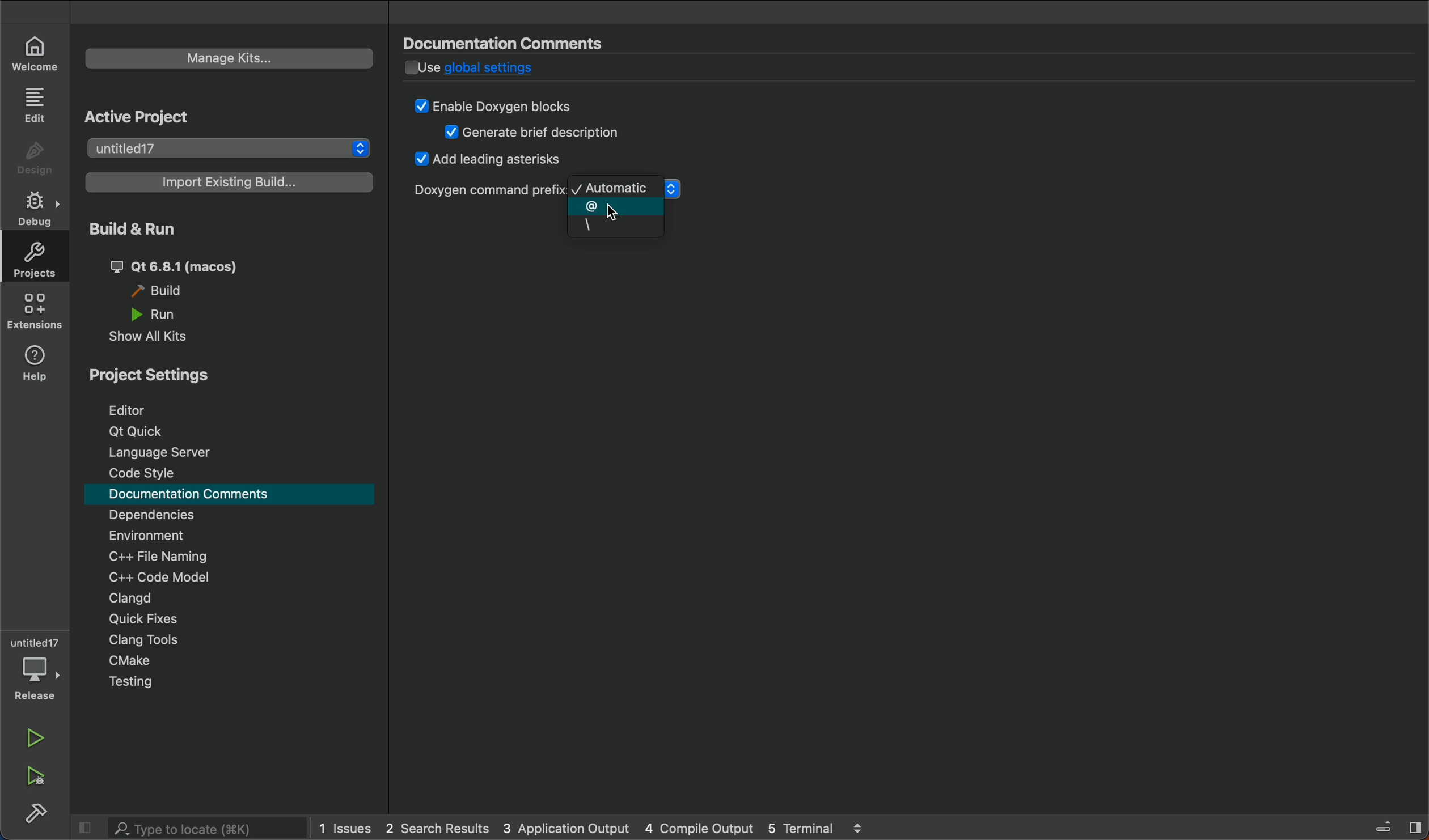 Image resolution: width=1429 pixels, height=840 pixels. I want to click on quick fixes, so click(150, 619).